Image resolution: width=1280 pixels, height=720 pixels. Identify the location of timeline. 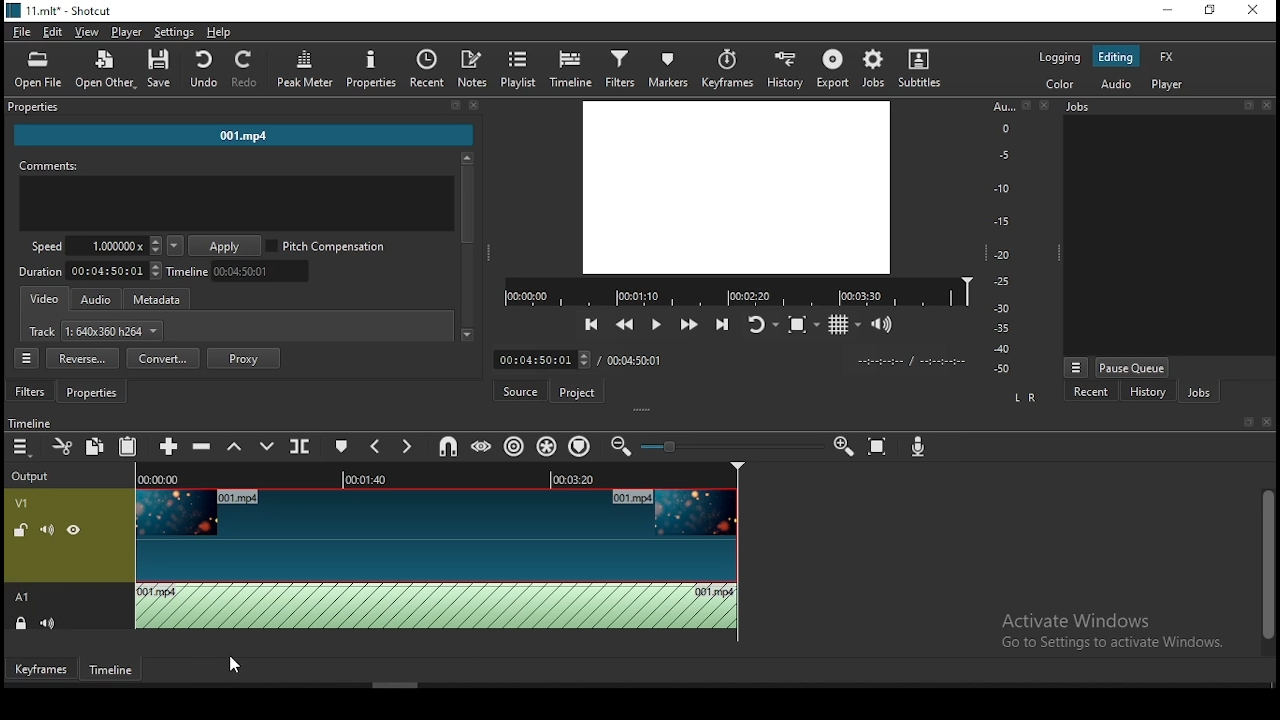
(28, 423).